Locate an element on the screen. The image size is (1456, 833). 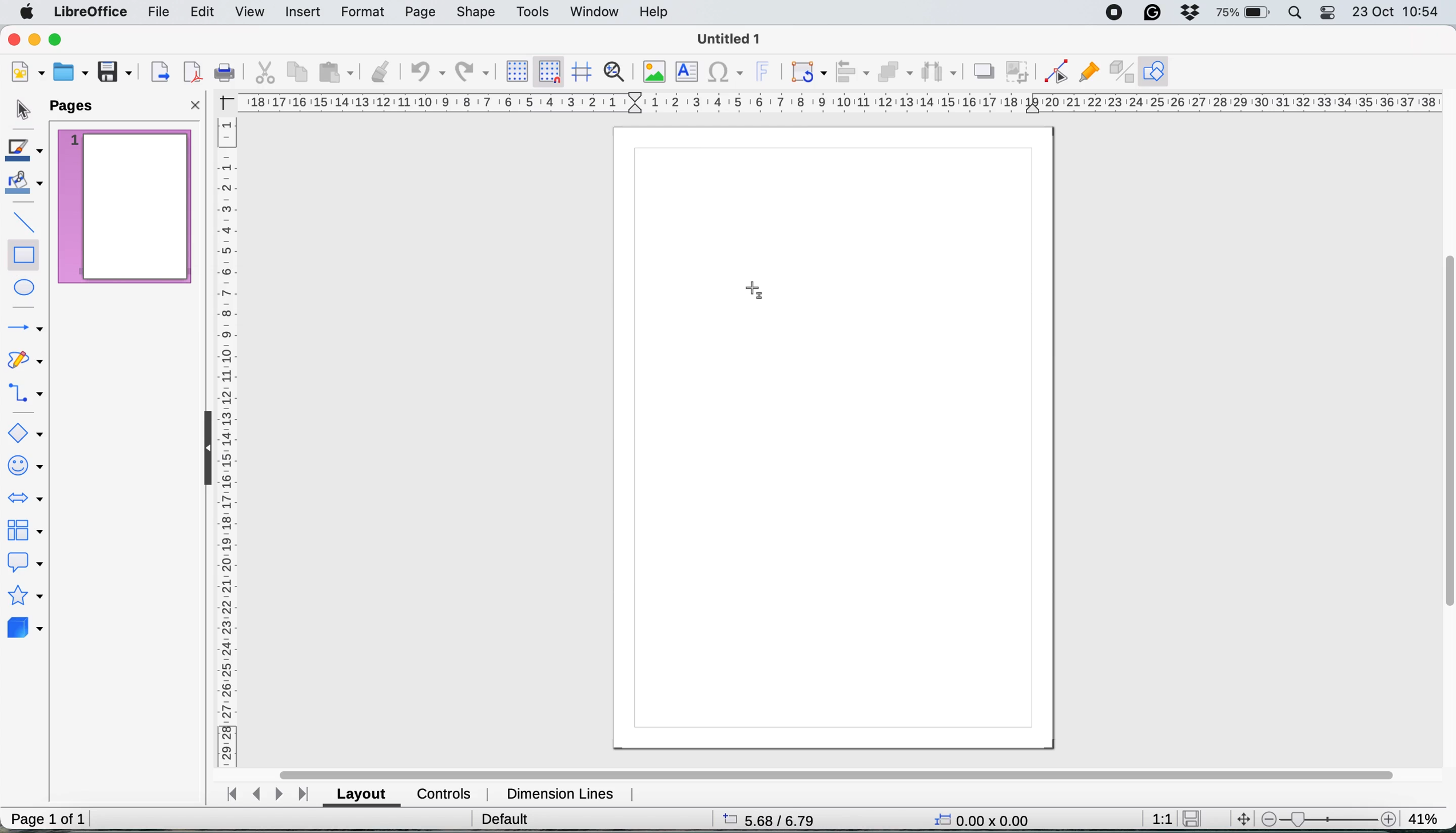
flowchart is located at coordinates (25, 530).